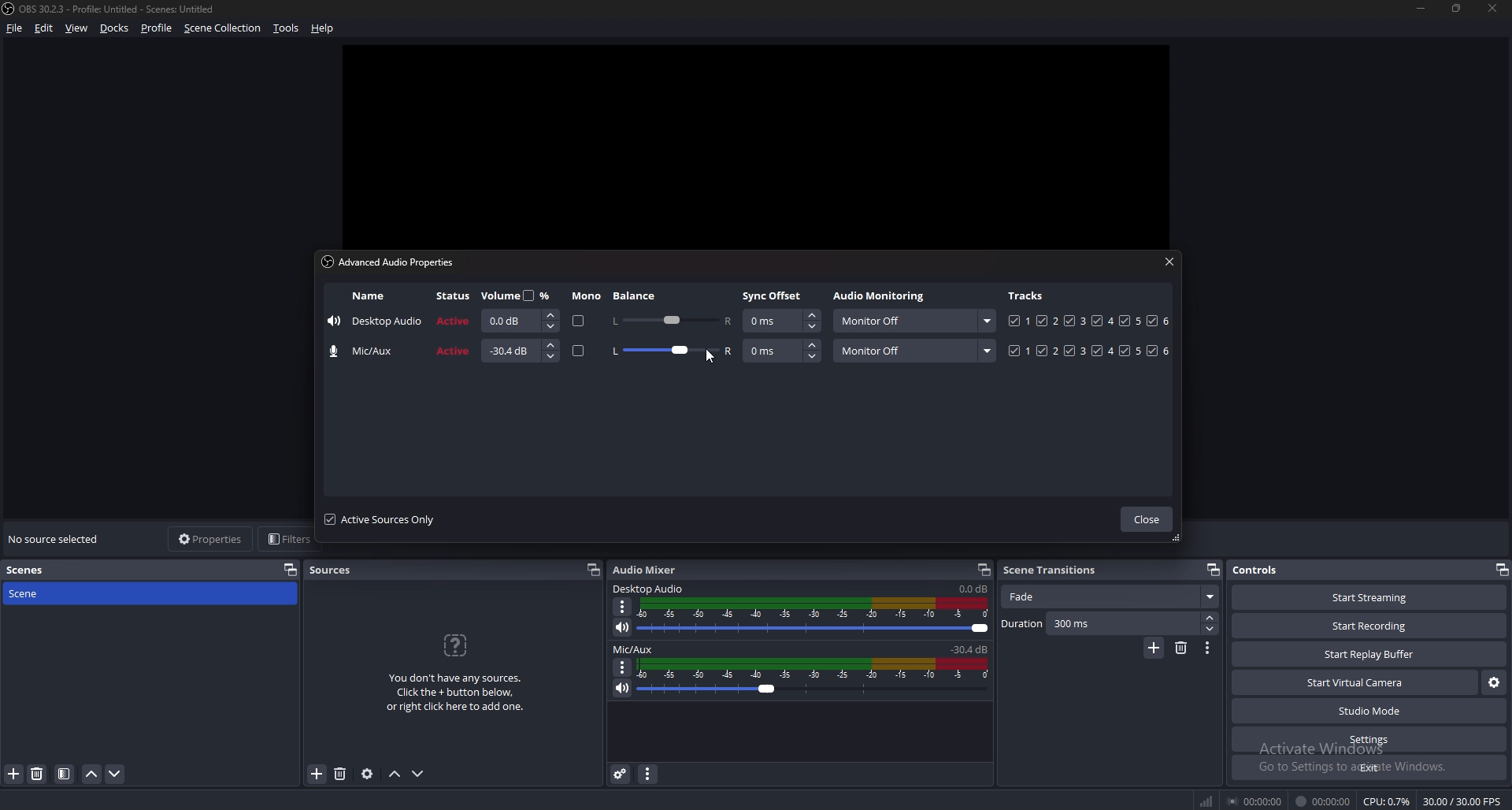 The width and height of the screenshot is (1512, 810). Describe the element at coordinates (317, 774) in the screenshot. I see `add source` at that location.